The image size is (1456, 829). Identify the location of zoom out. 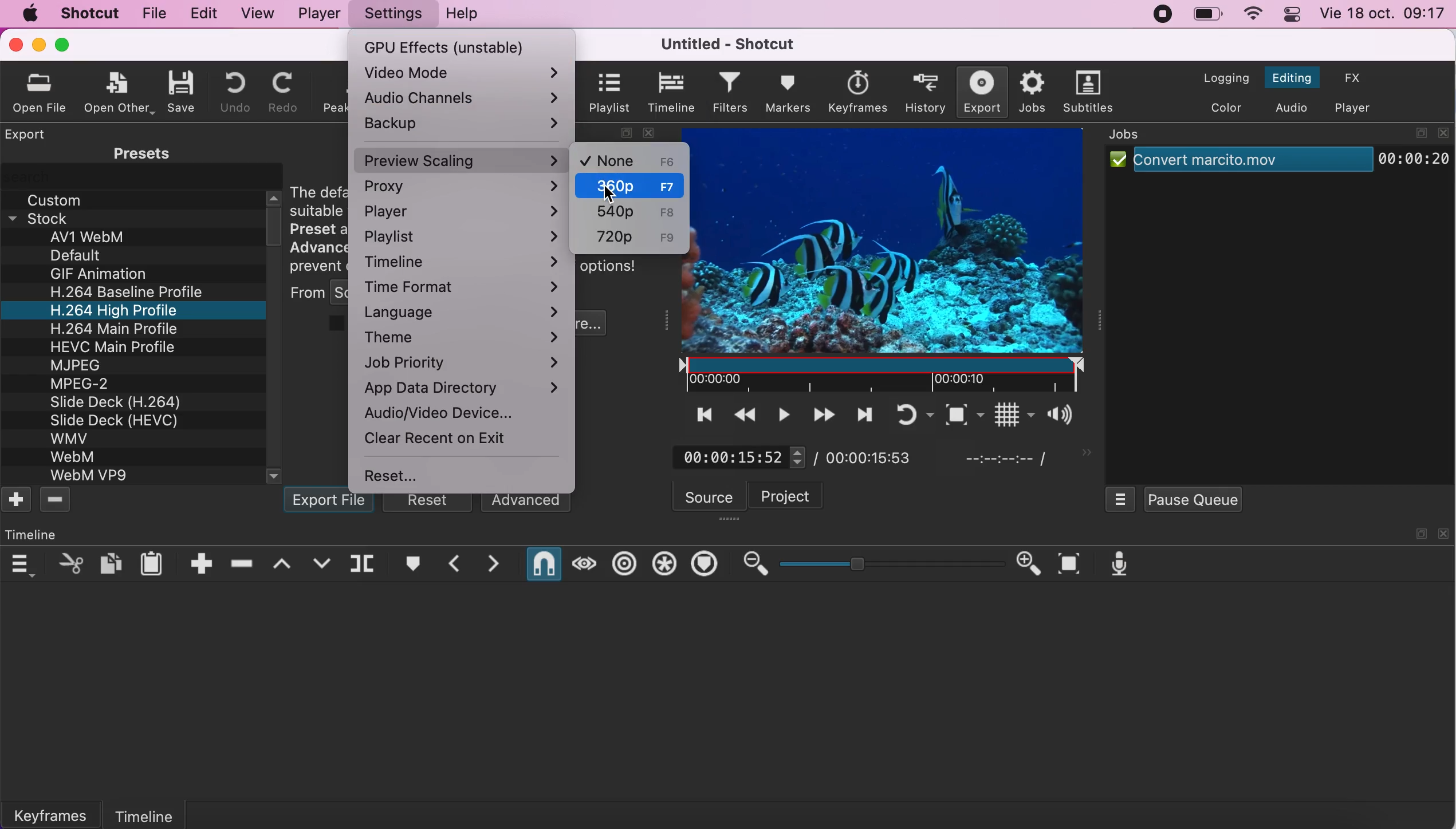
(753, 564).